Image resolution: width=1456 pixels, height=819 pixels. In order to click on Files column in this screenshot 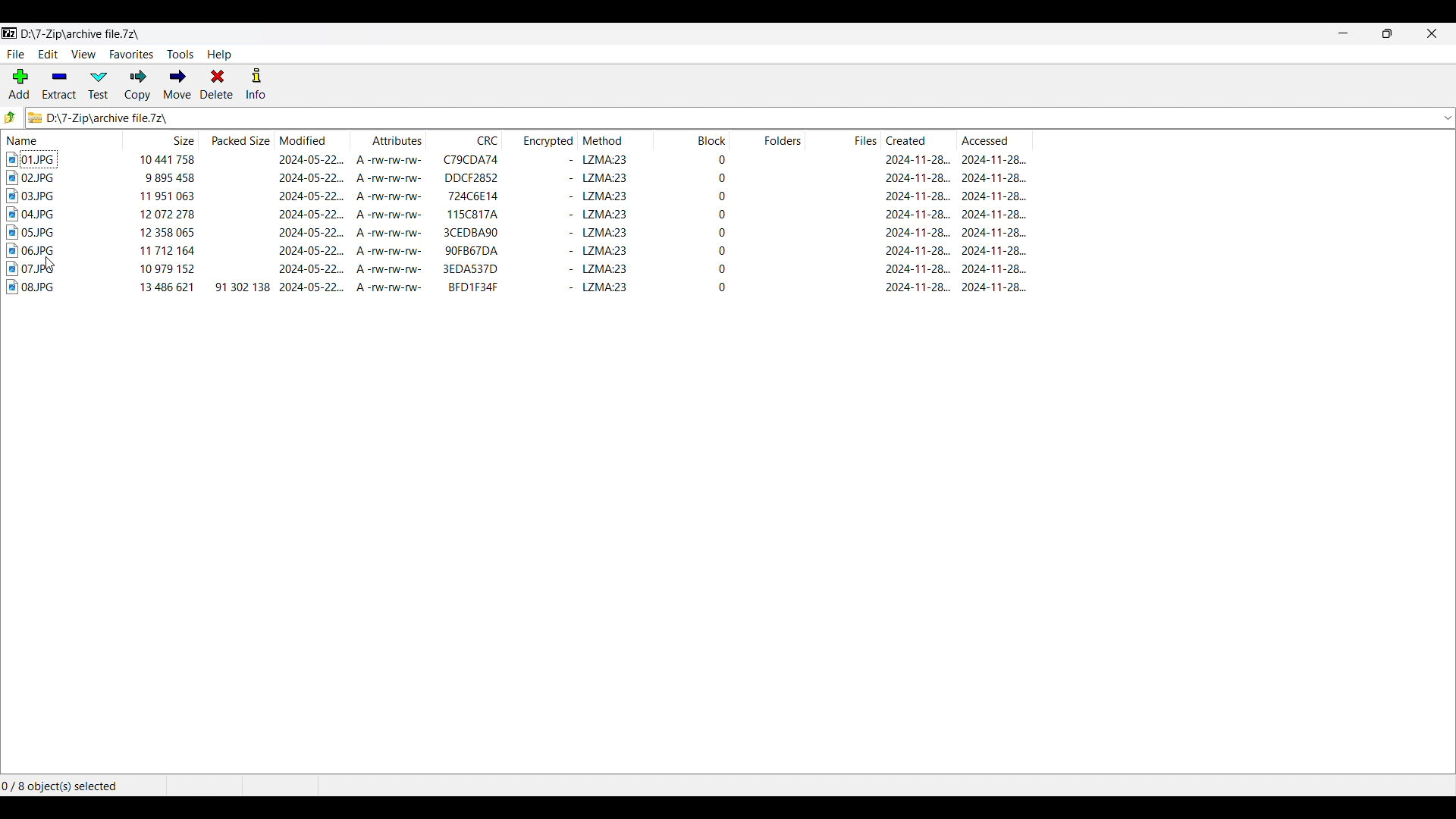, I will do `click(843, 140)`.